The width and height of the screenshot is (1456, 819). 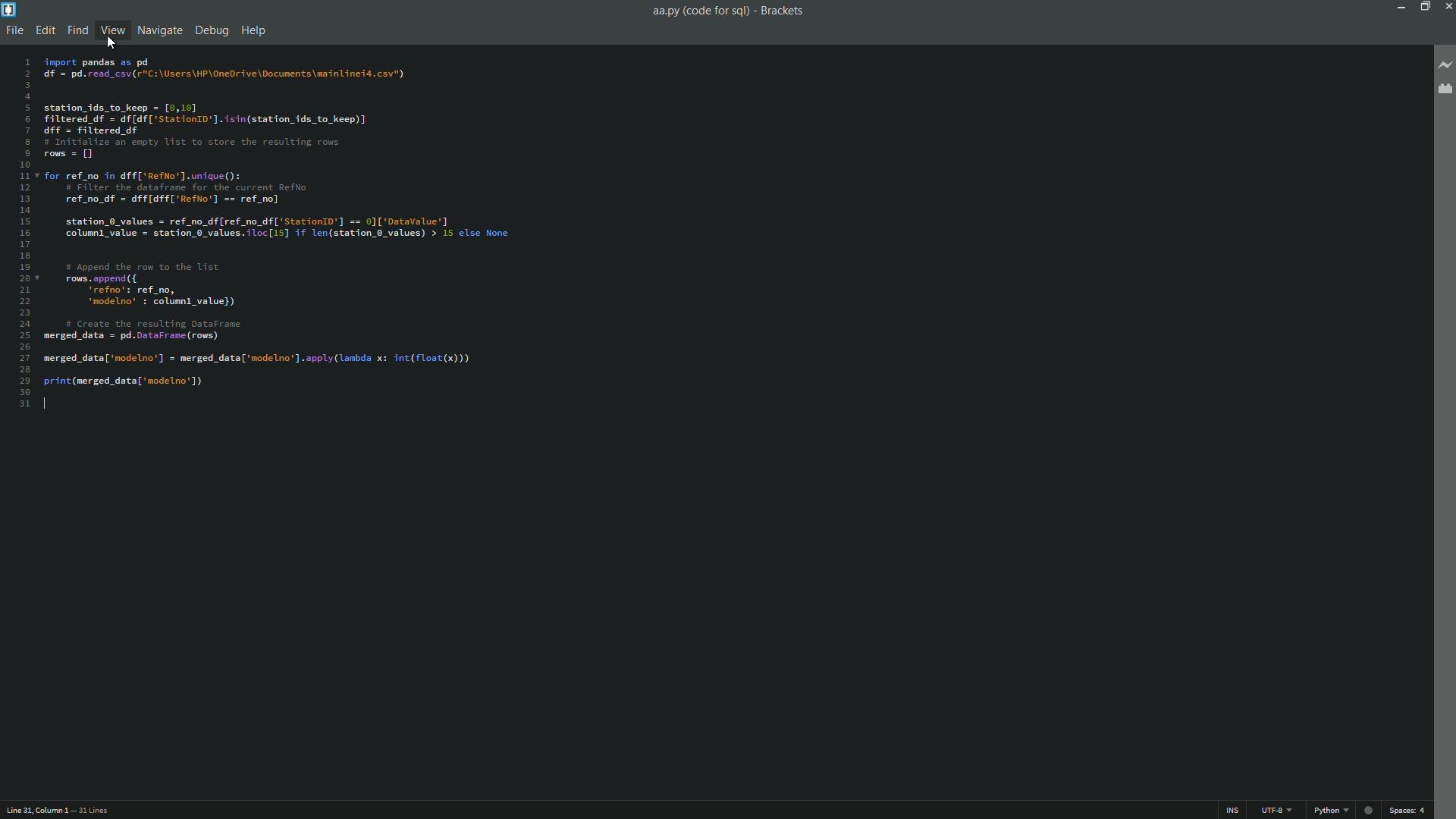 I want to click on help menu, so click(x=253, y=31).